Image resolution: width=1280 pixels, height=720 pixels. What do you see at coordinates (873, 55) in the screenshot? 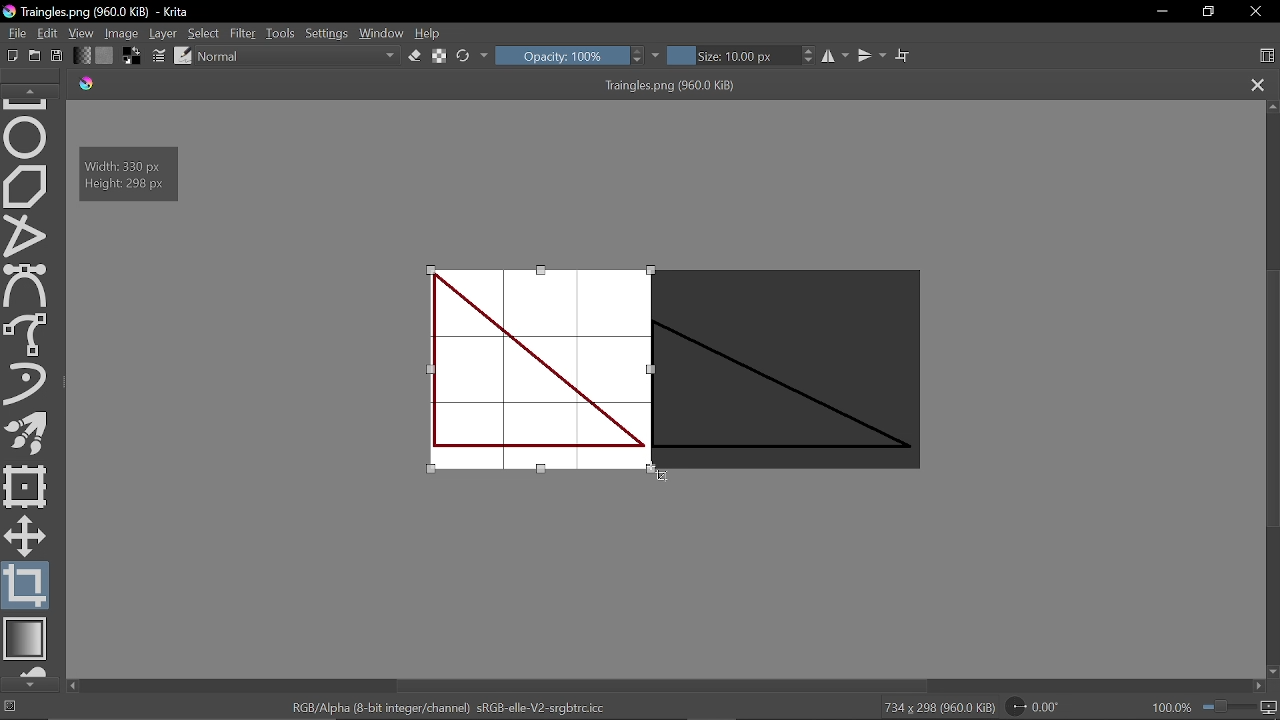
I see `Vertical mirror tool` at bounding box center [873, 55].